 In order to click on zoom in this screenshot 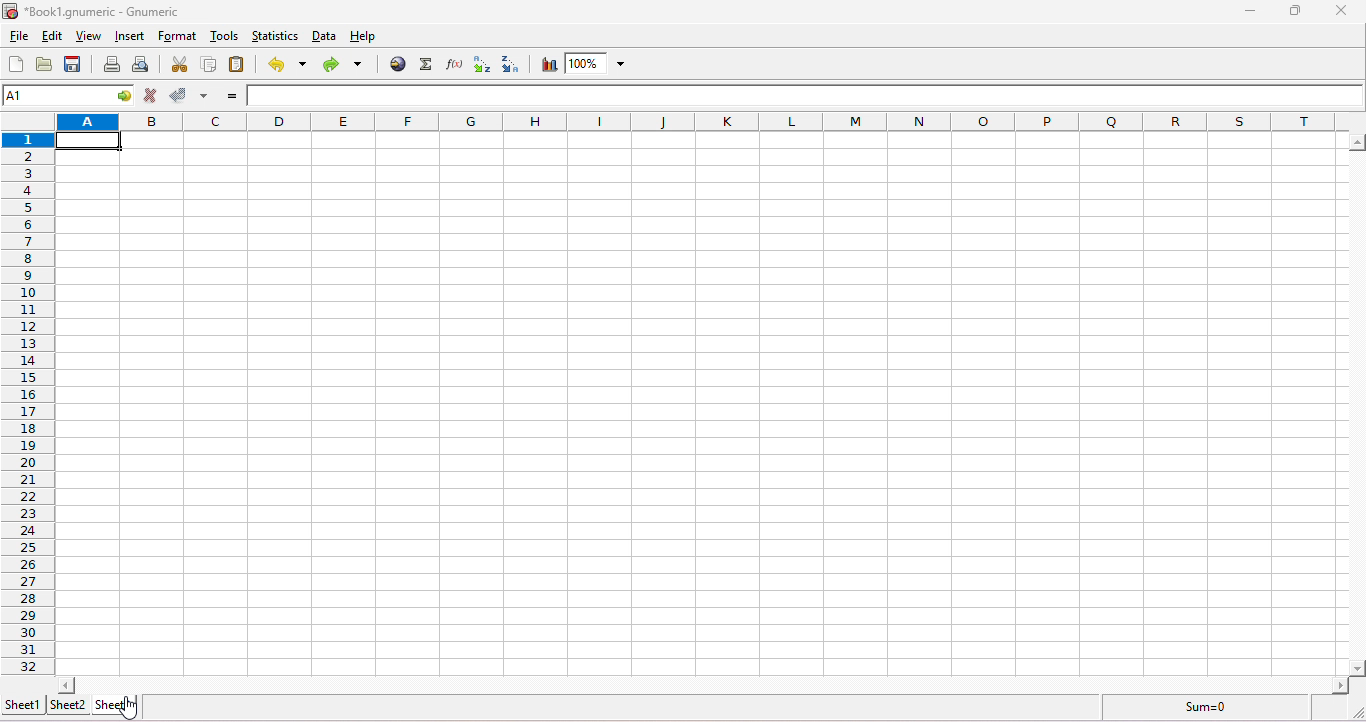, I will do `click(602, 64)`.